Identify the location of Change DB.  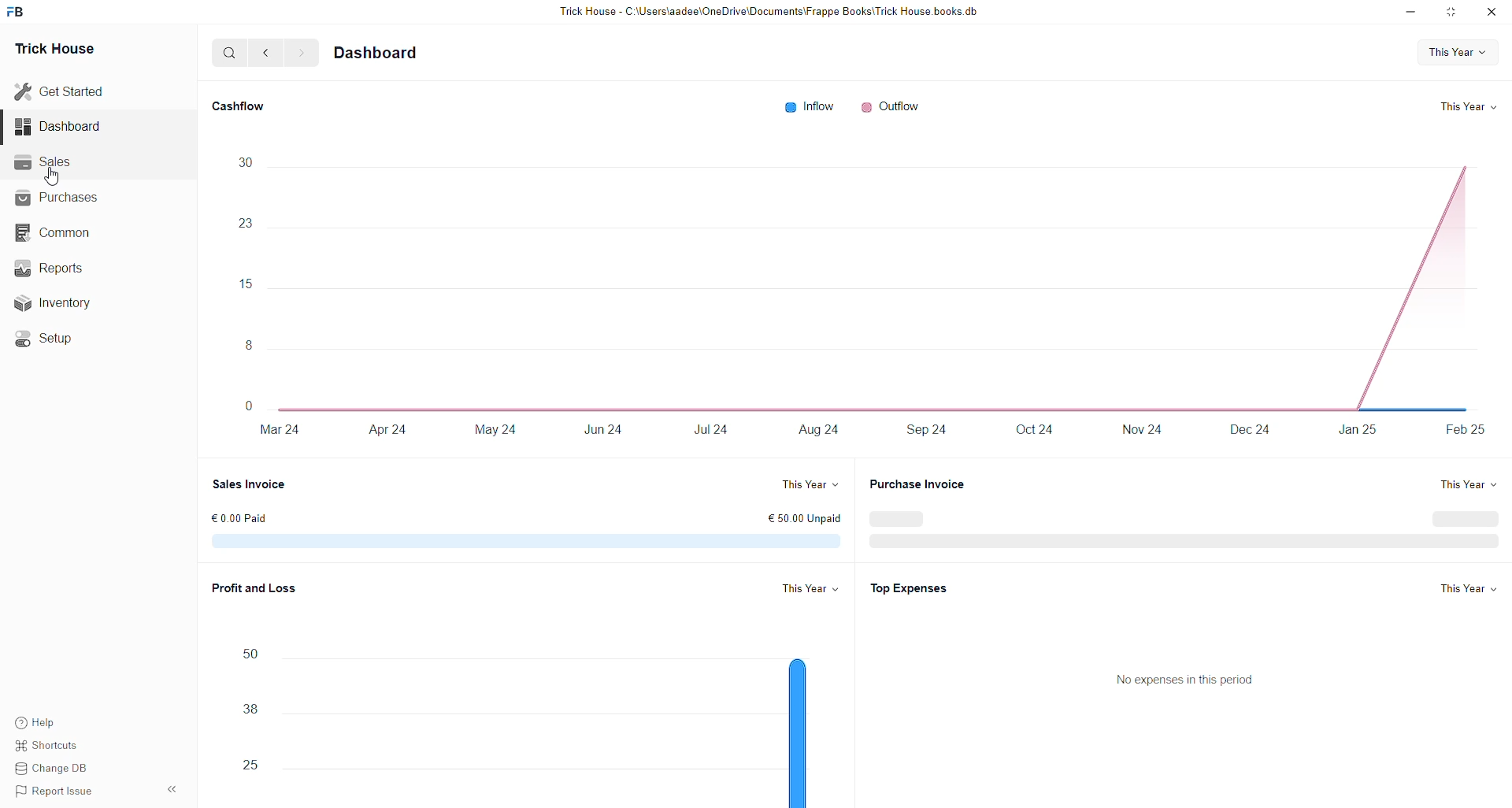
(57, 767).